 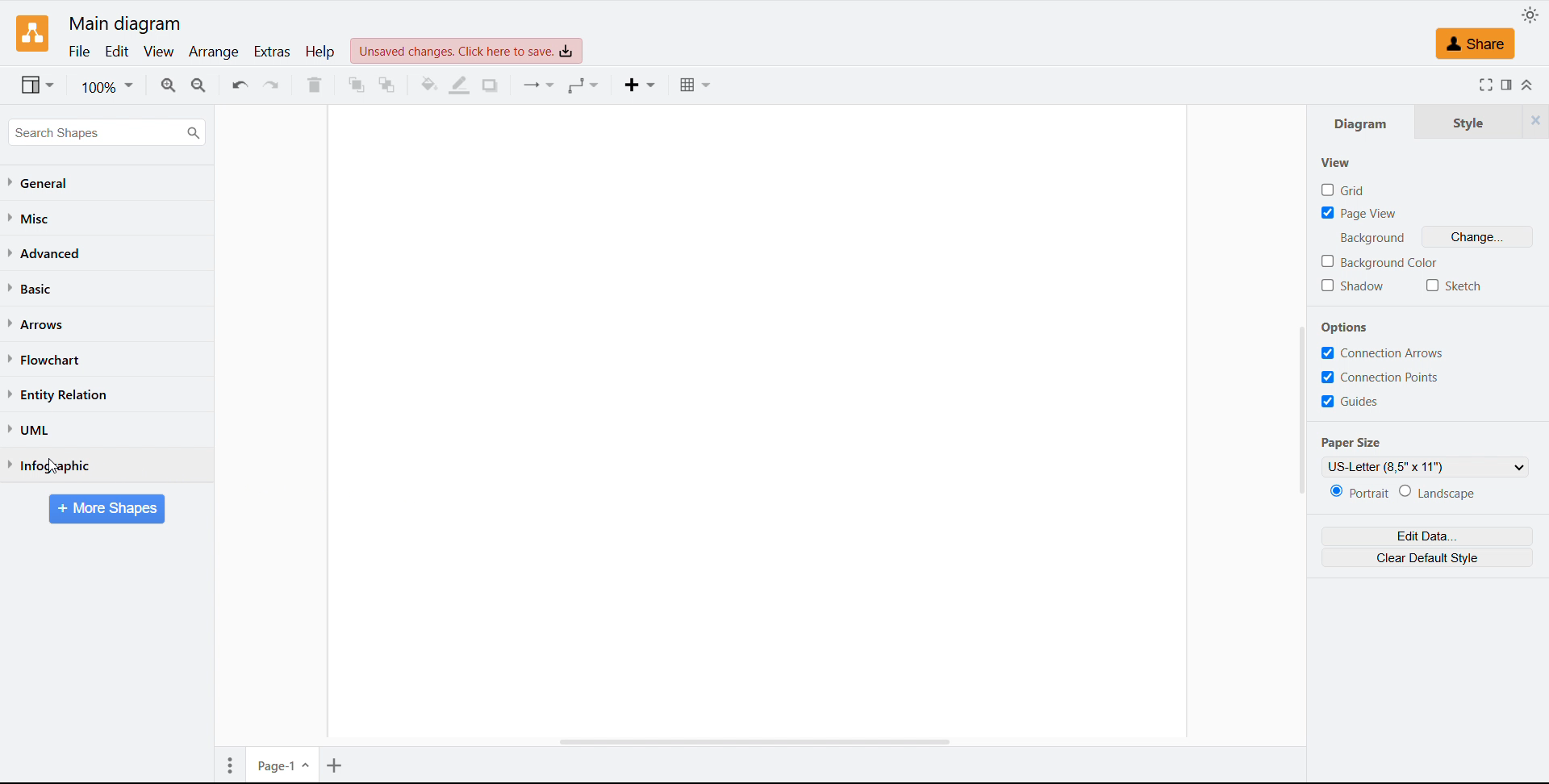 What do you see at coordinates (107, 132) in the screenshot?
I see `Search shapes ` at bounding box center [107, 132].